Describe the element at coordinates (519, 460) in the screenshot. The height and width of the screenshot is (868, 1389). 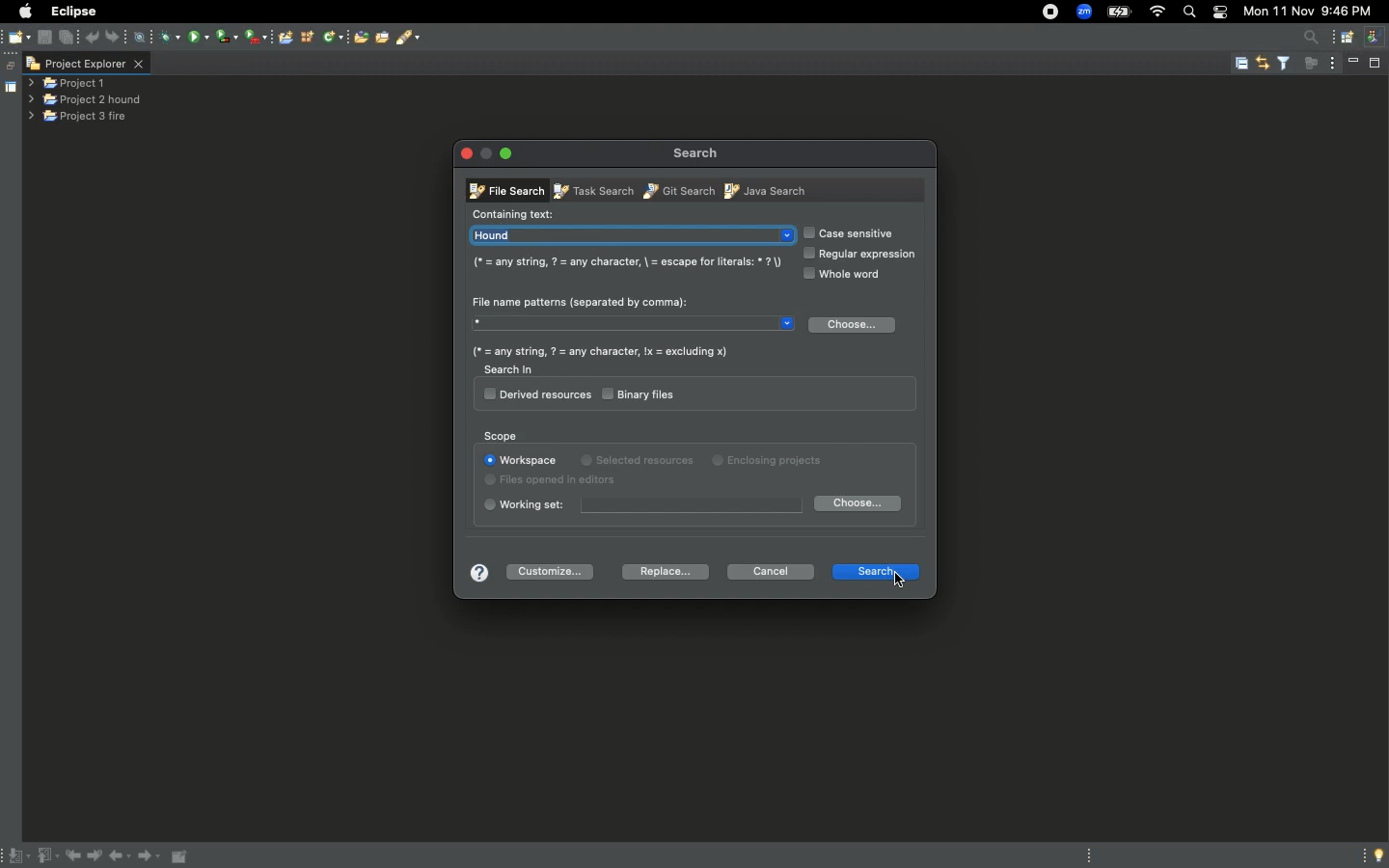
I see `Workspace` at that location.